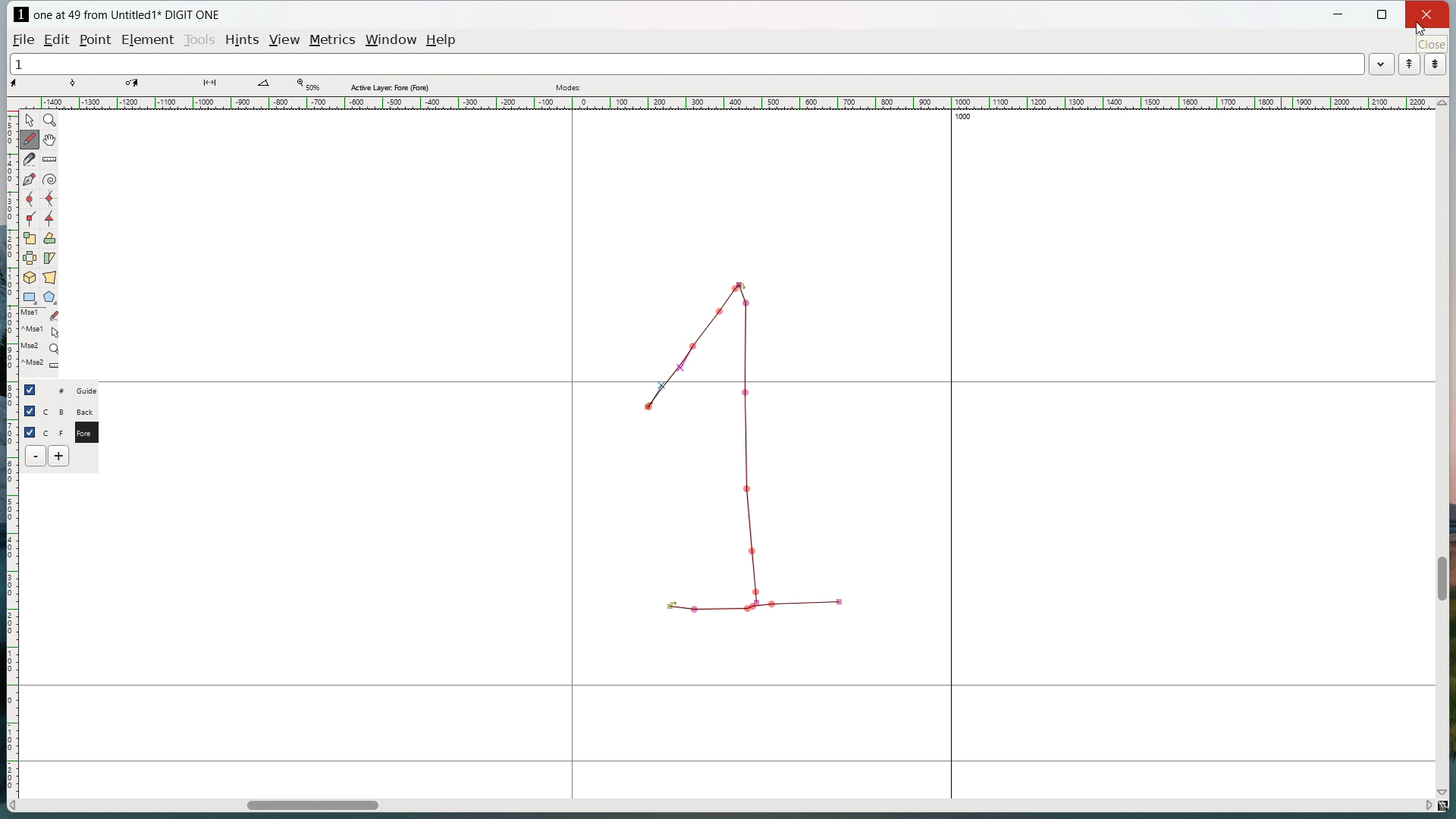 This screenshot has width=1456, height=819. I want to click on distance between points, so click(219, 85).